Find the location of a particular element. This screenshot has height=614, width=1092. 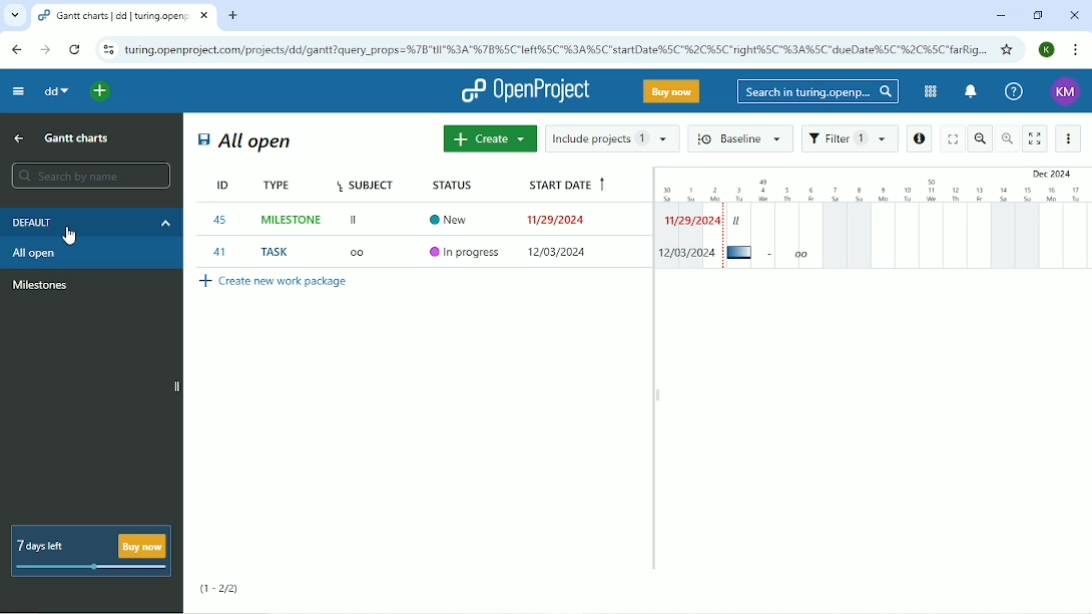

Restore down is located at coordinates (1037, 14).